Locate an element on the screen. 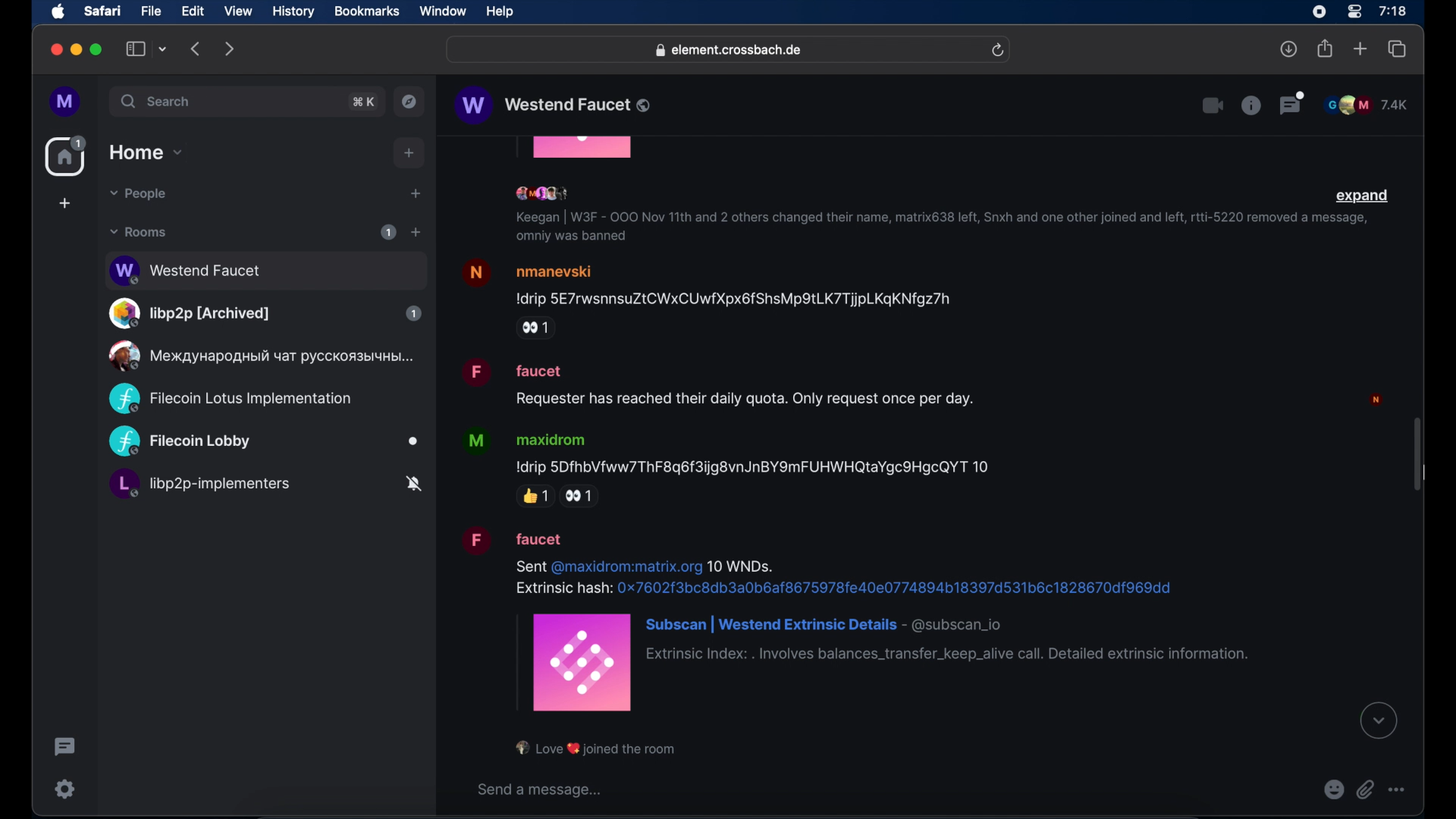 This screenshot has width=1456, height=819. obscured cursor is located at coordinates (1426, 473).